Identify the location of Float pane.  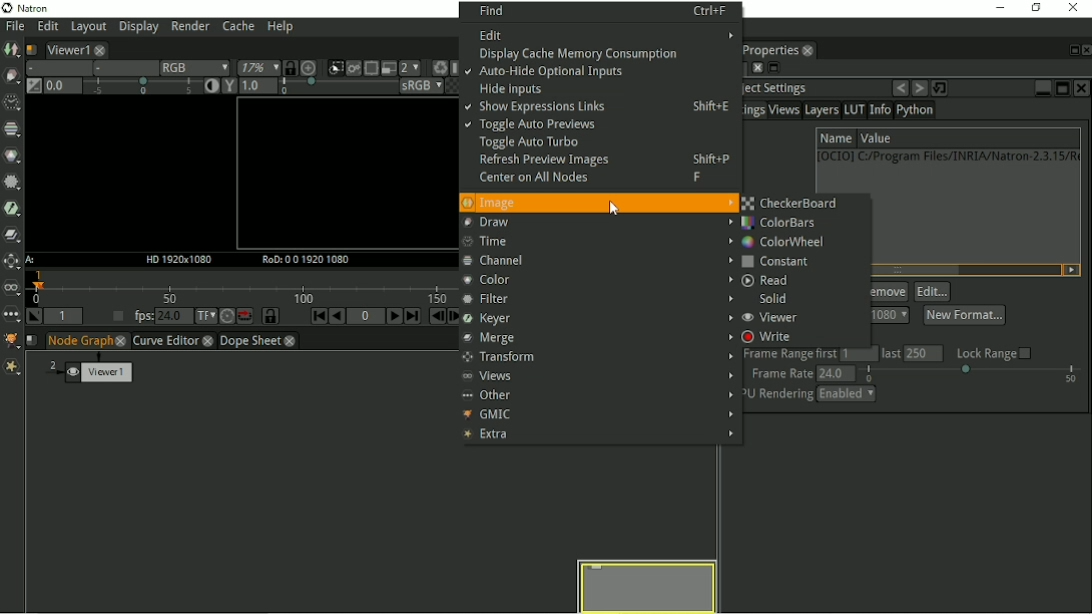
(774, 69).